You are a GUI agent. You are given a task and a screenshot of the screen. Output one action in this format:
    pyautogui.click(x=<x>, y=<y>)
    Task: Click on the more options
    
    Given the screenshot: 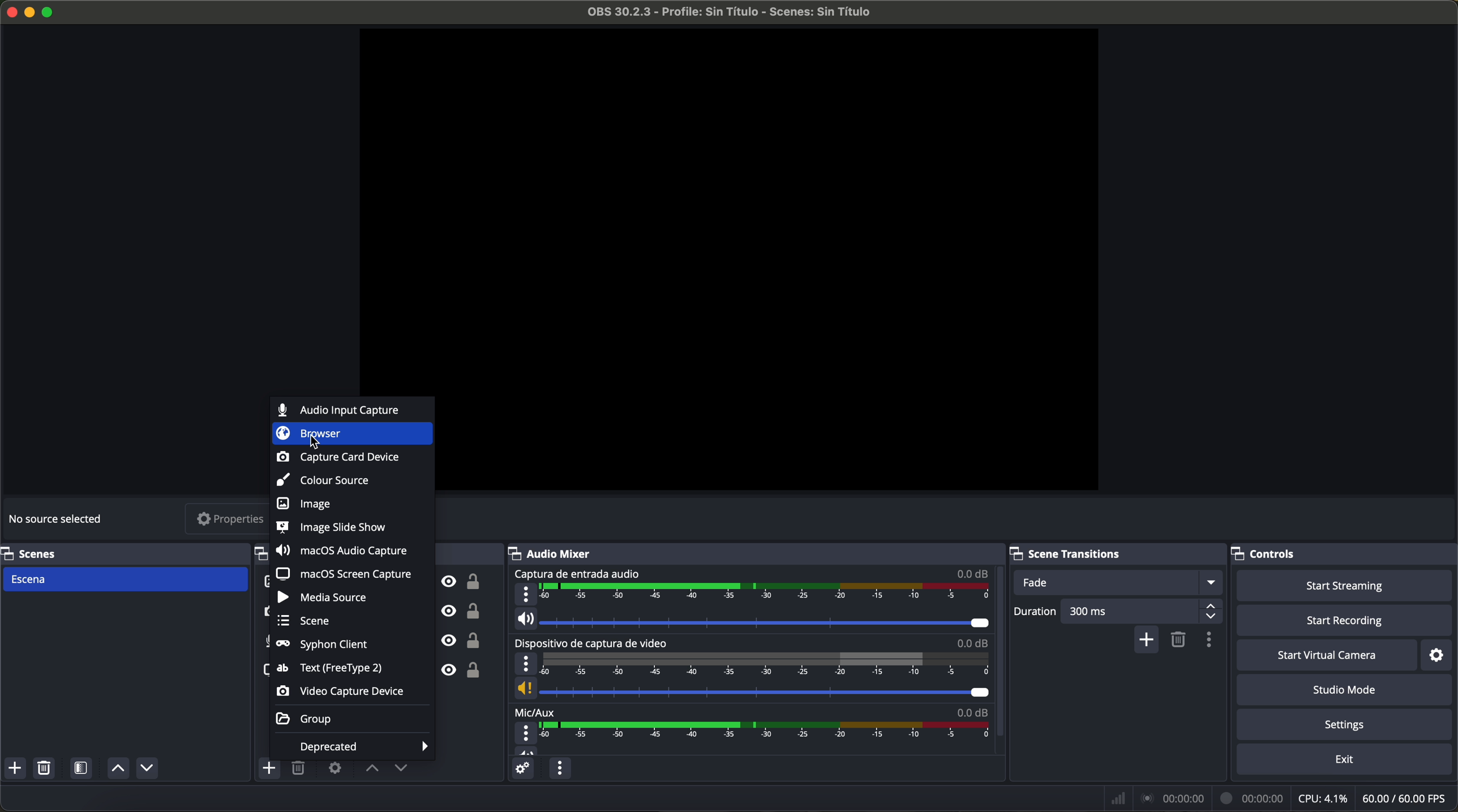 What is the action you would take?
    pyautogui.click(x=524, y=595)
    